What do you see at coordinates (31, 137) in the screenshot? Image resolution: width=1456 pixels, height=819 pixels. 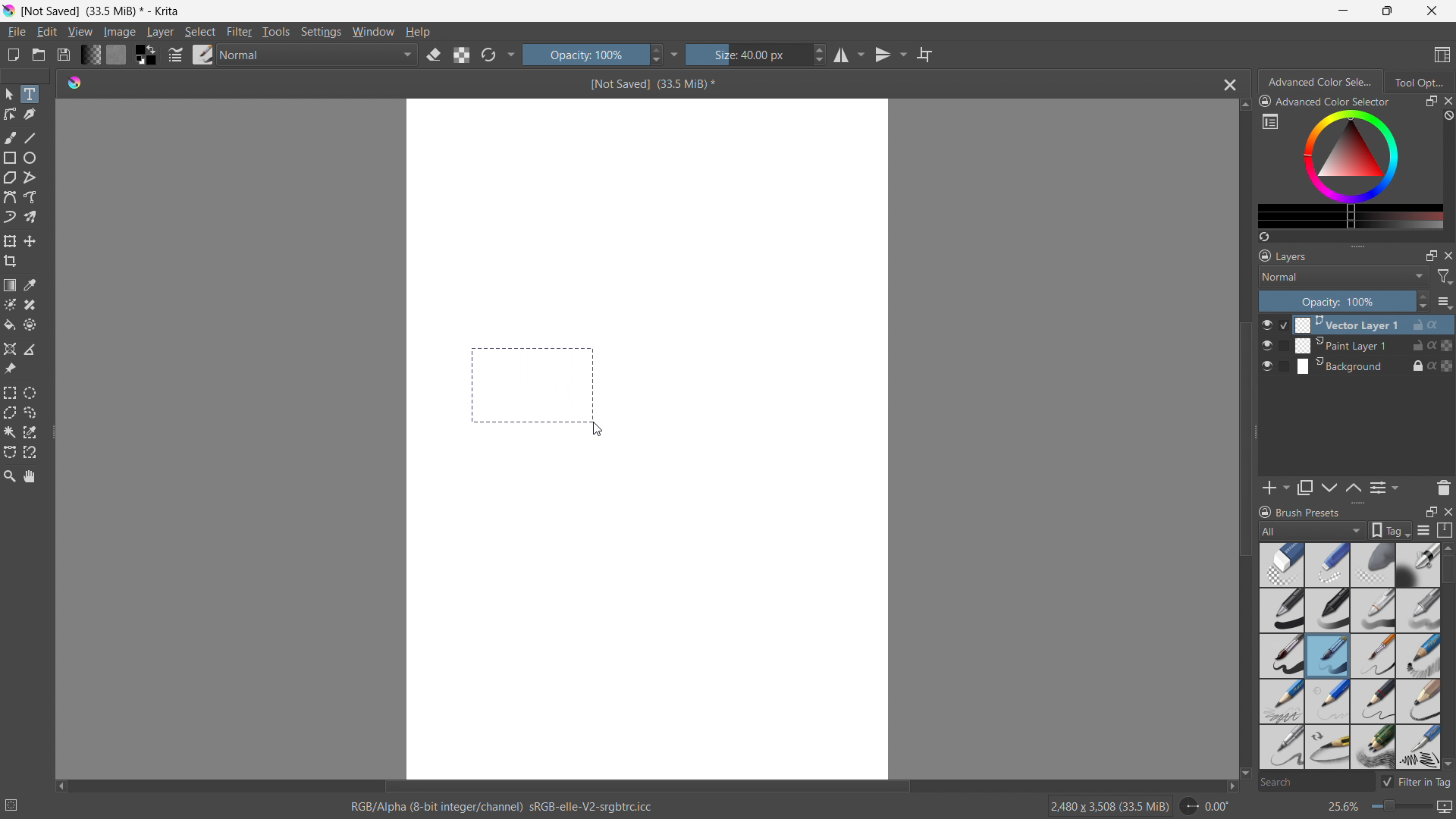 I see `line tool` at bounding box center [31, 137].